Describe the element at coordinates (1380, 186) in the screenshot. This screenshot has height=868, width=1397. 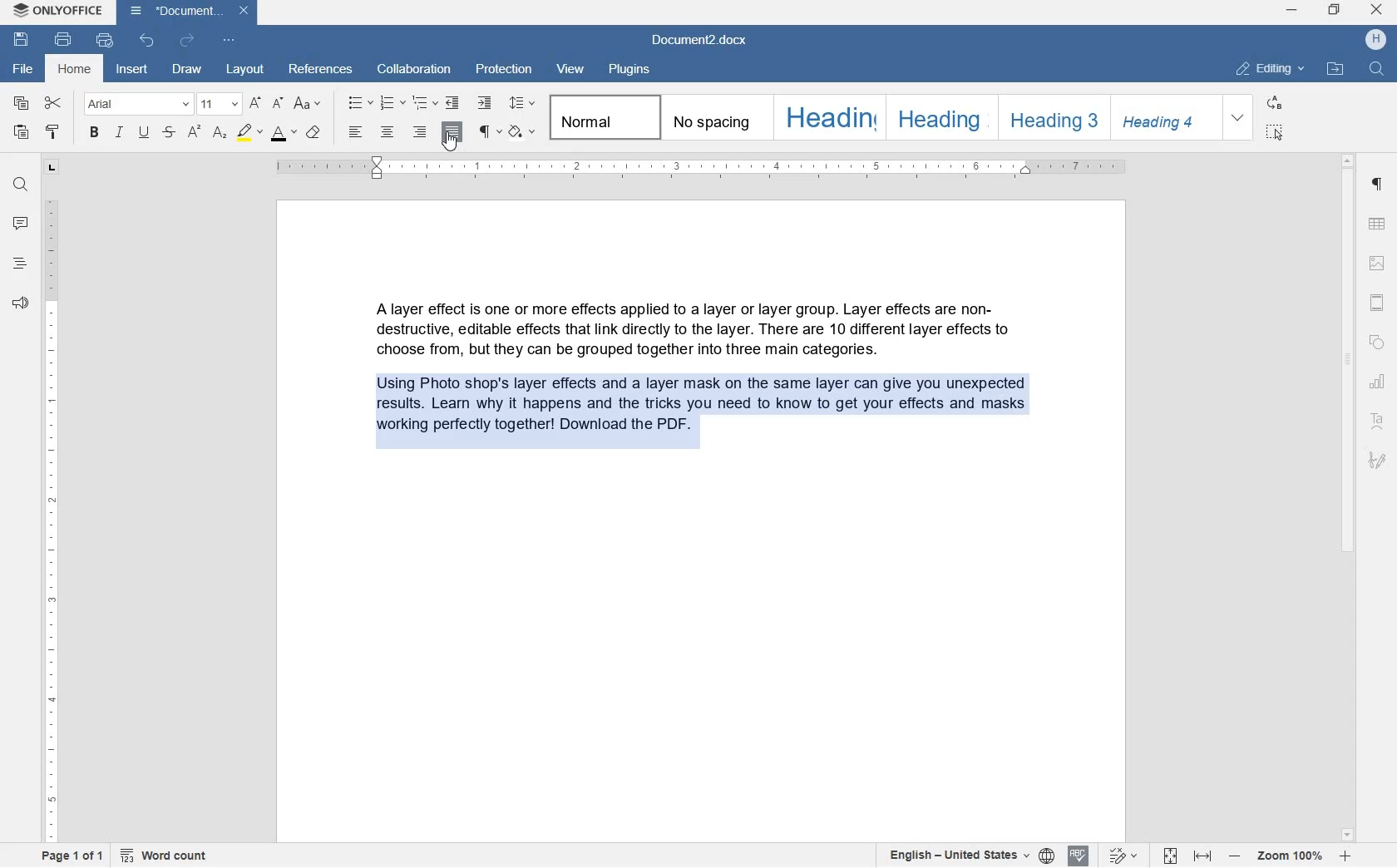
I see `PARAGRAPH SETTINGS` at that location.